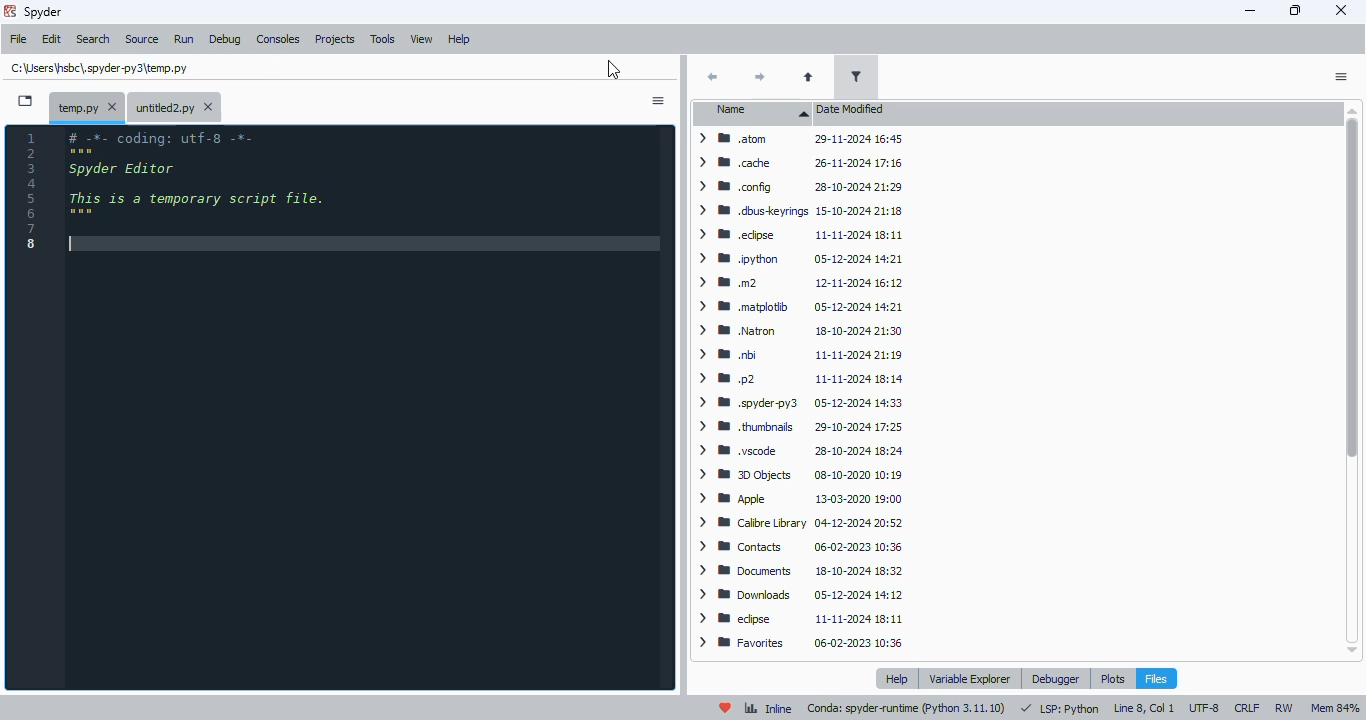 This screenshot has height=720, width=1366. What do you see at coordinates (801, 620) in the screenshot?
I see `> W edipse 11-11-2024 18:11` at bounding box center [801, 620].